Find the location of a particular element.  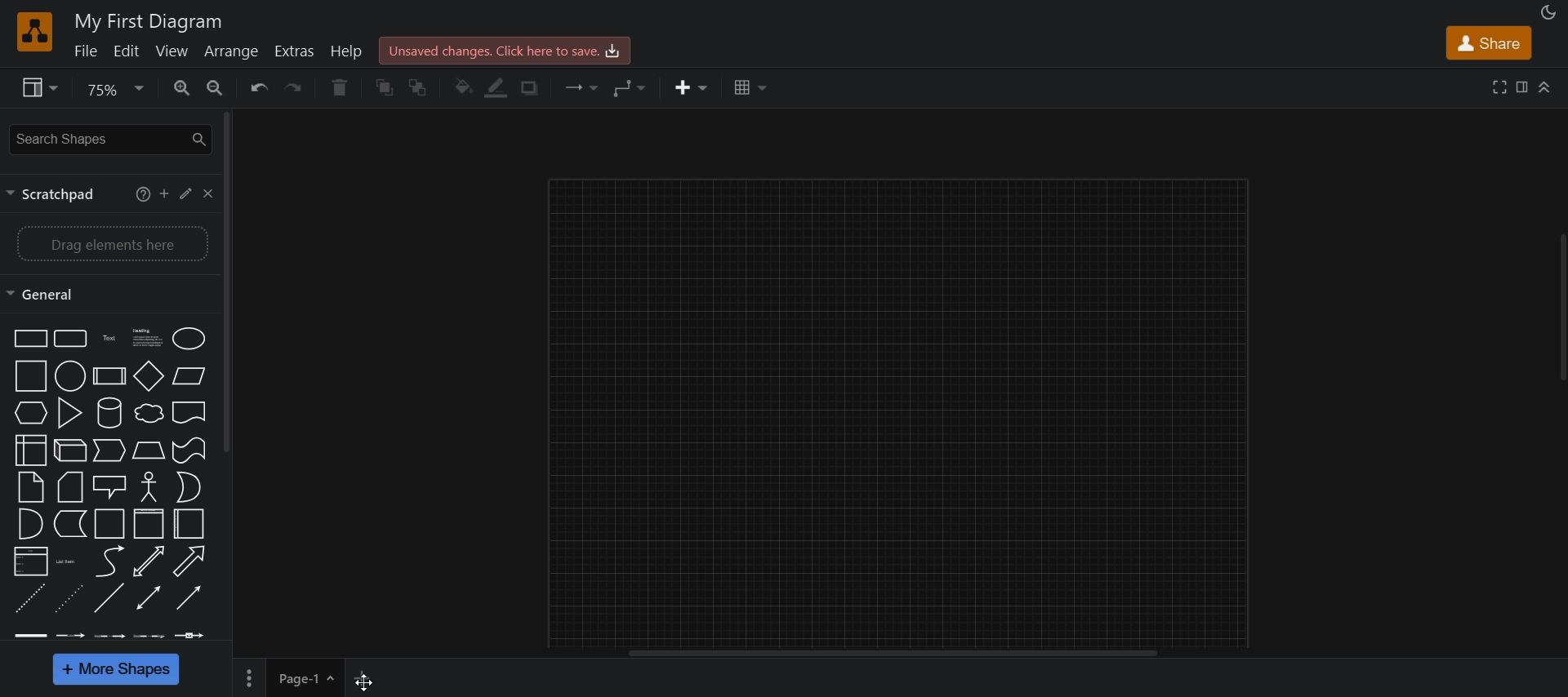

add new page is located at coordinates (372, 679).